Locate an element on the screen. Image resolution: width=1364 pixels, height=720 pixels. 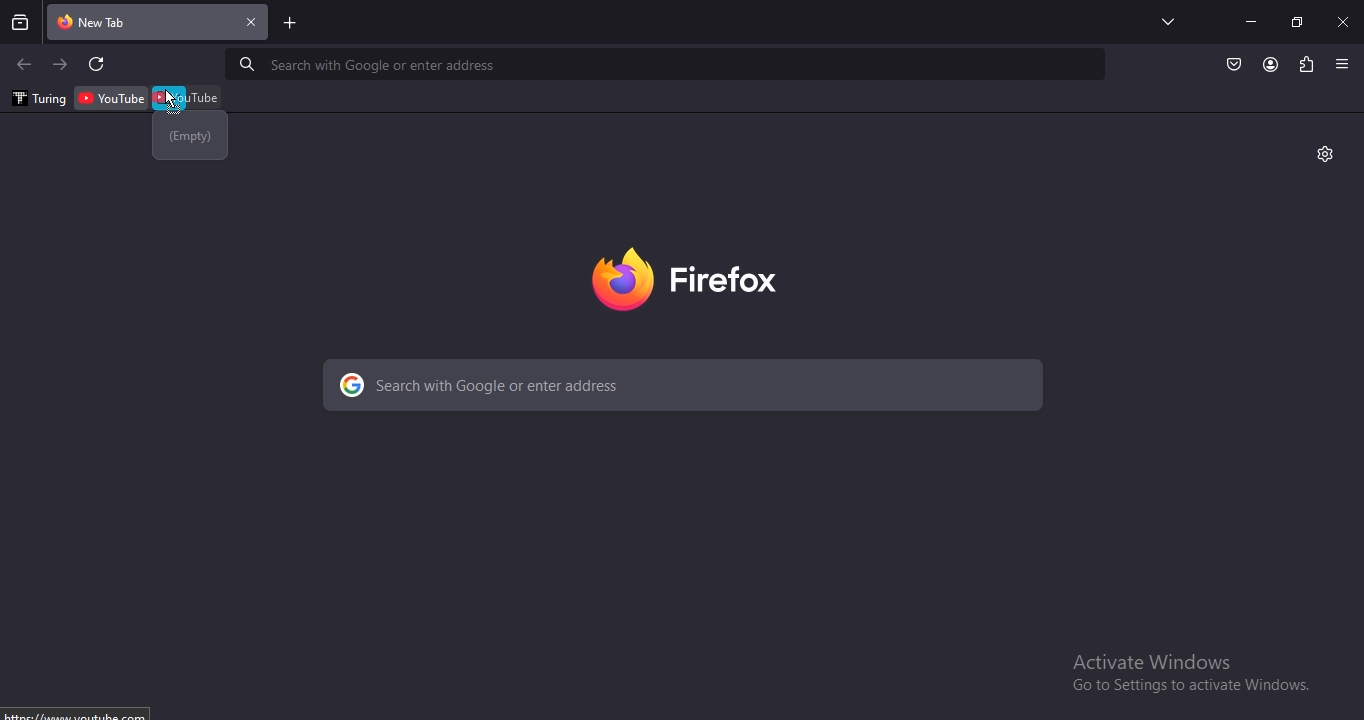
turing is located at coordinates (37, 99).